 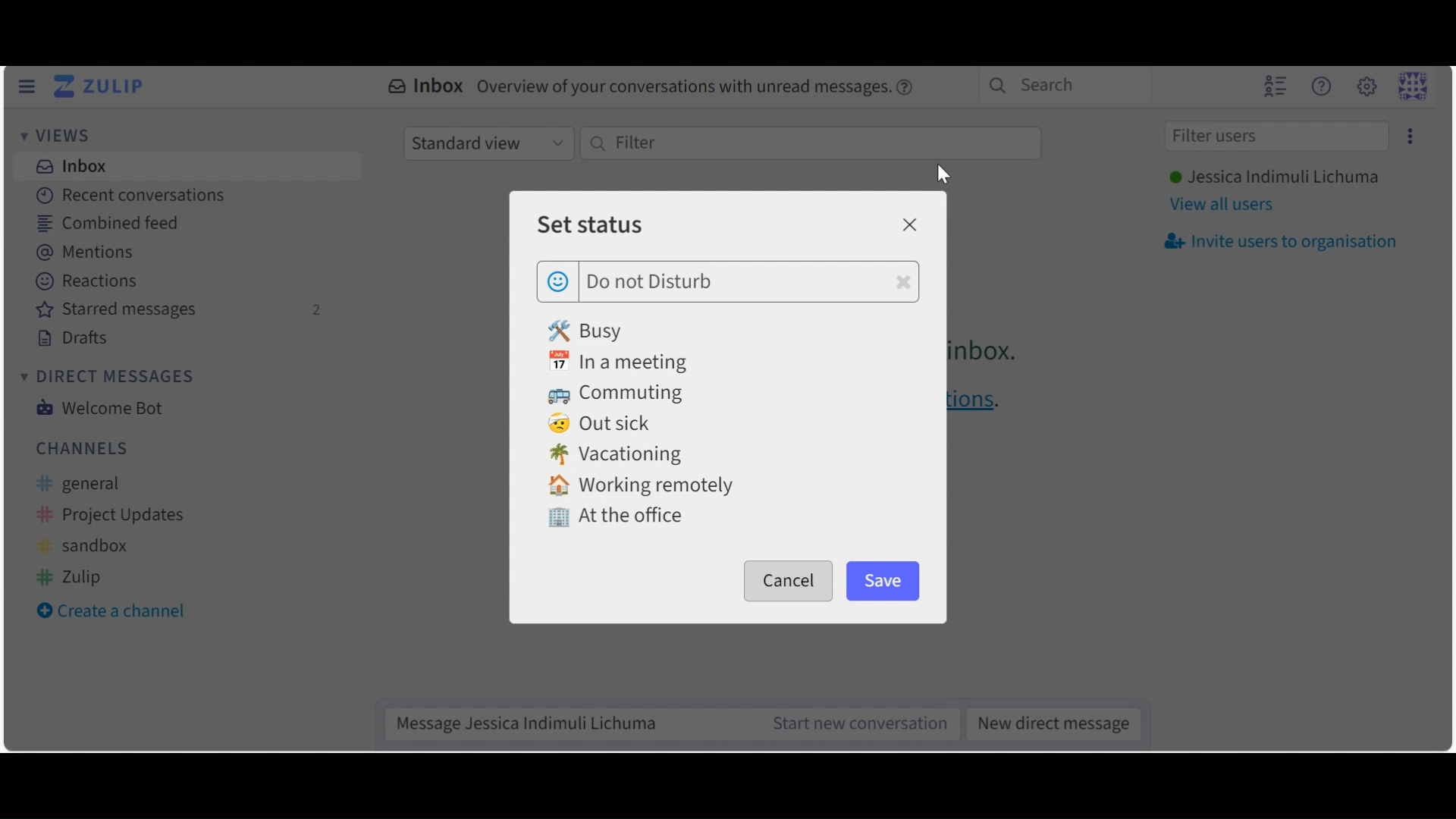 What do you see at coordinates (112, 516) in the screenshot?
I see `project updates` at bounding box center [112, 516].